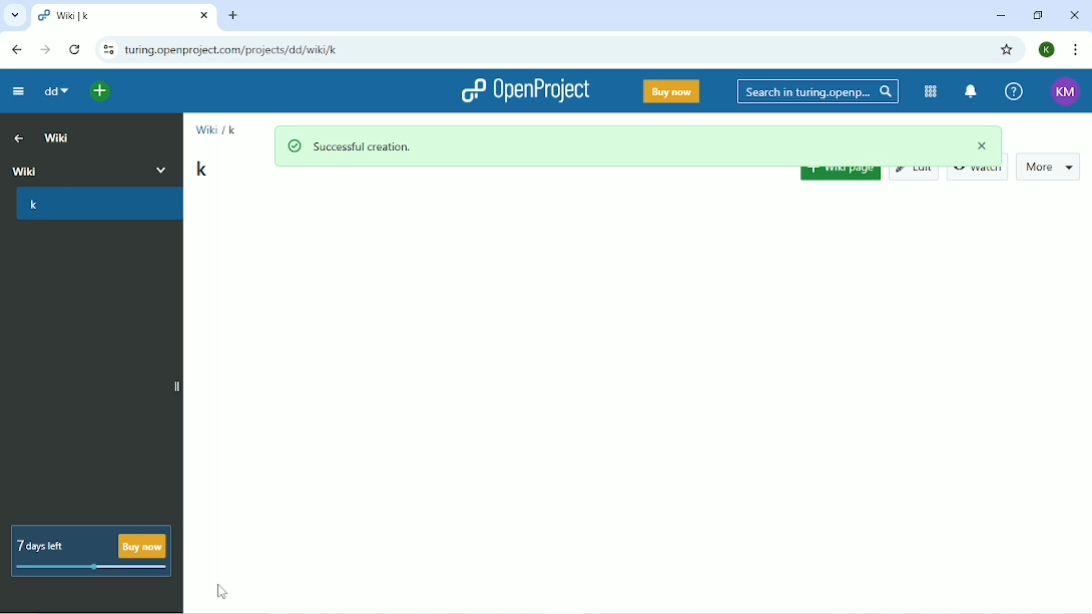 The image size is (1092, 614). What do you see at coordinates (840, 176) in the screenshot?
I see `Wiki page` at bounding box center [840, 176].